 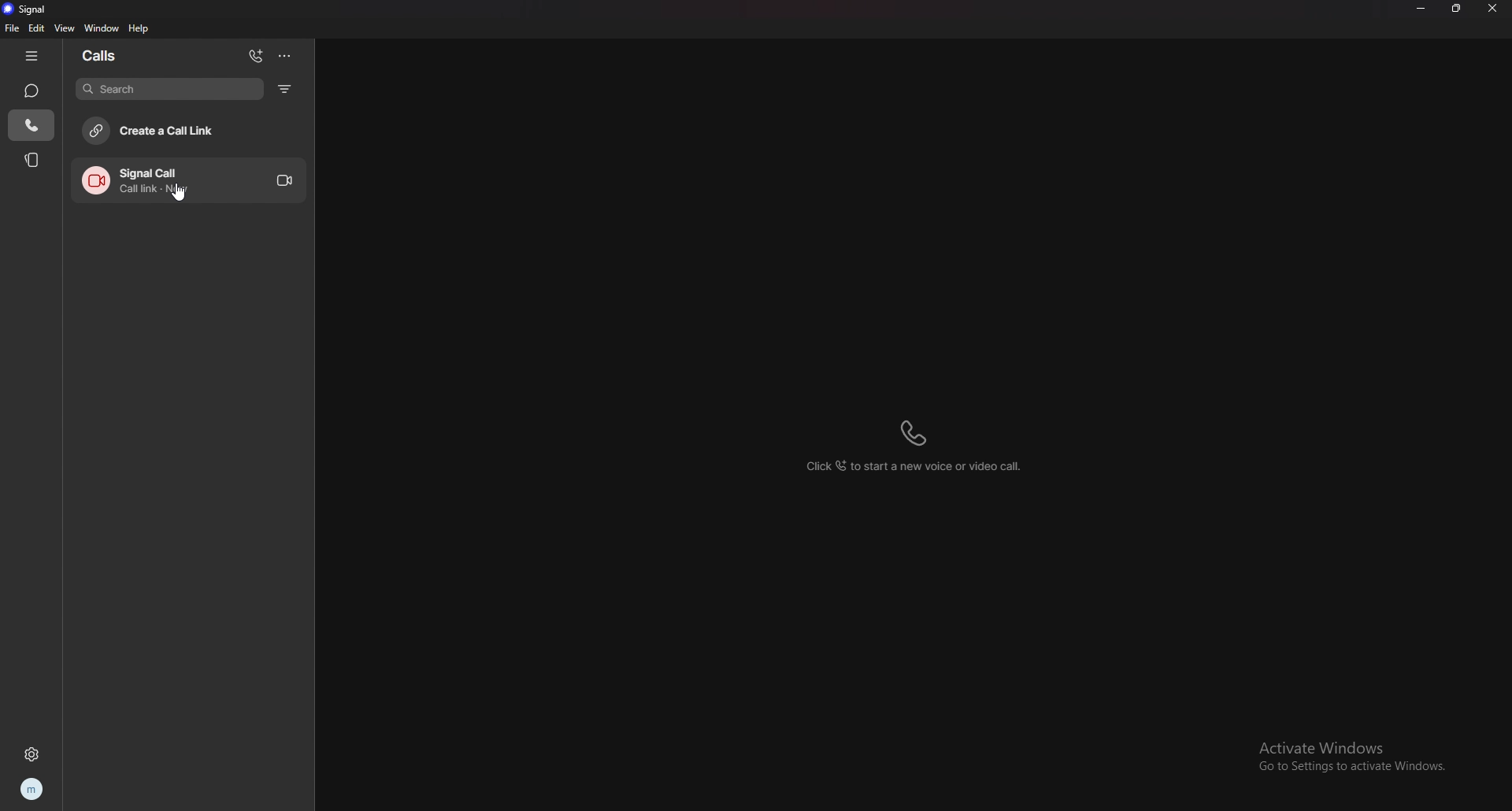 What do you see at coordinates (31, 754) in the screenshot?
I see `settings` at bounding box center [31, 754].